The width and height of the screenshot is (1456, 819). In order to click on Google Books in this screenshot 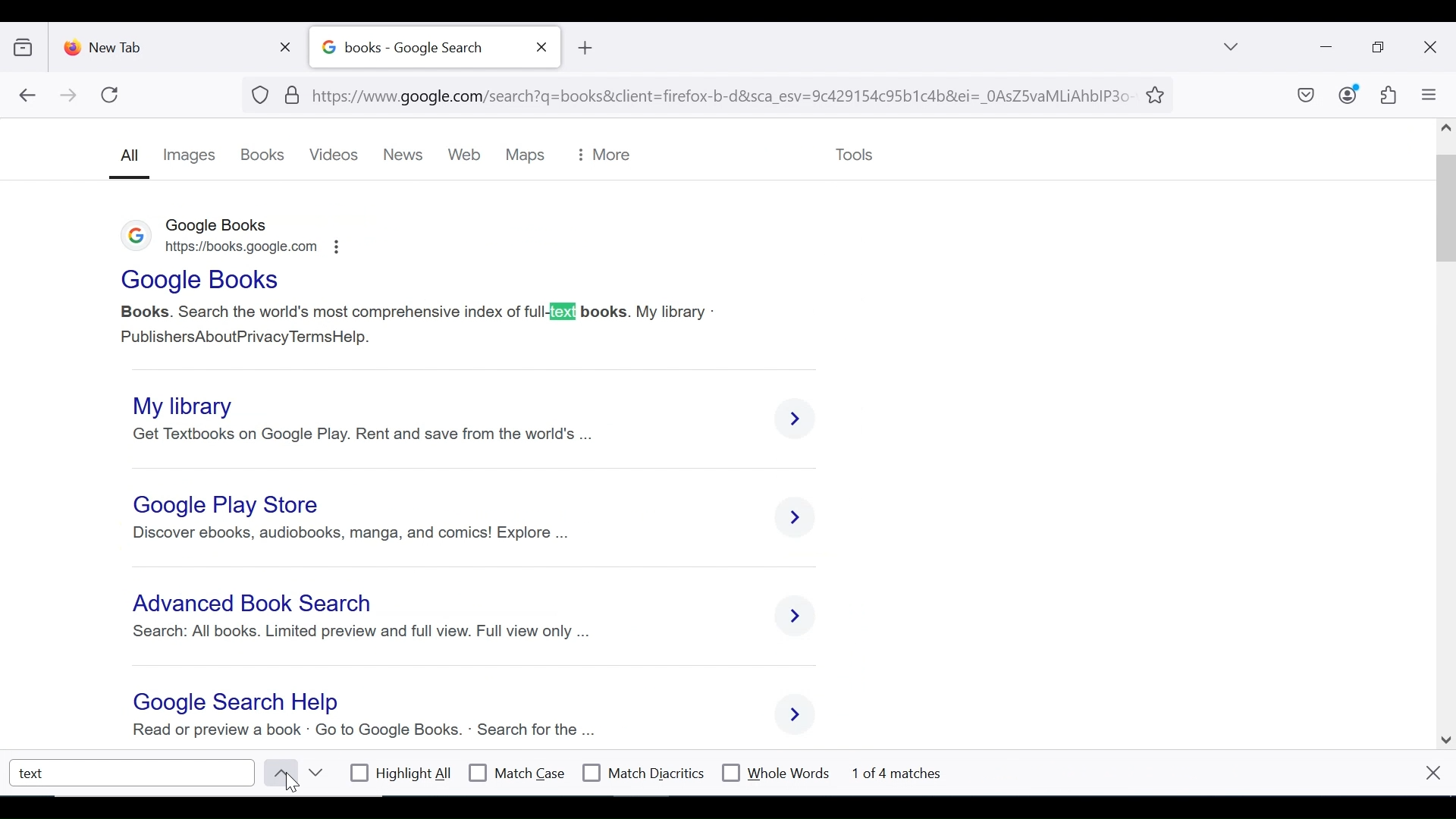, I will do `click(197, 280)`.